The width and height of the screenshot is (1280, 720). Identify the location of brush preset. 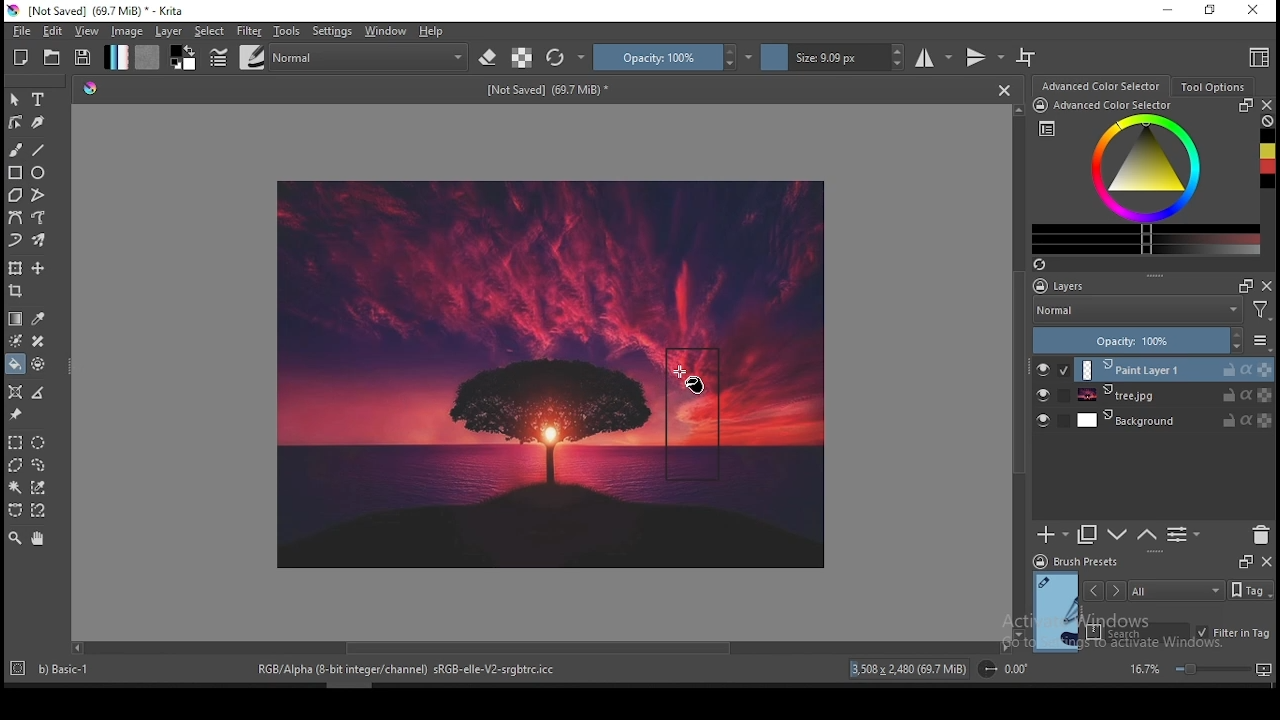
(1075, 561).